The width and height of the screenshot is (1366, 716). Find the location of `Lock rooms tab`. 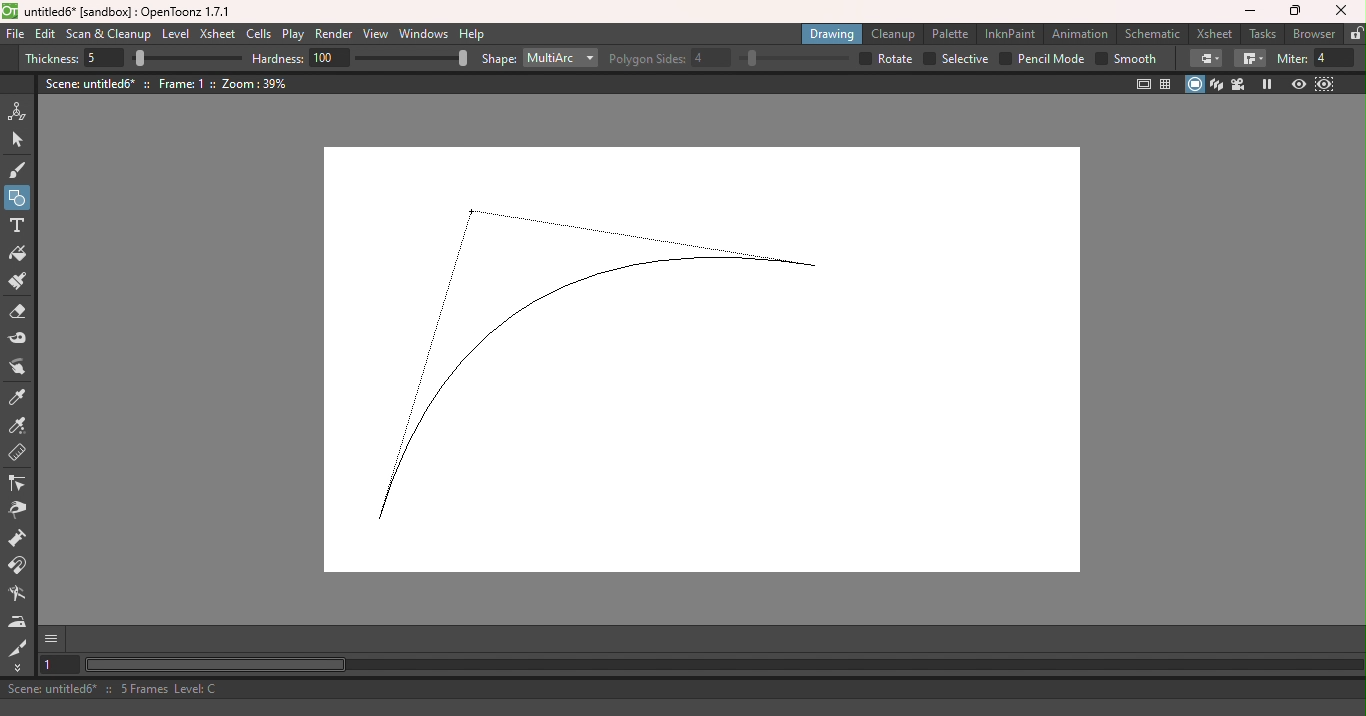

Lock rooms tab is located at coordinates (1355, 33).